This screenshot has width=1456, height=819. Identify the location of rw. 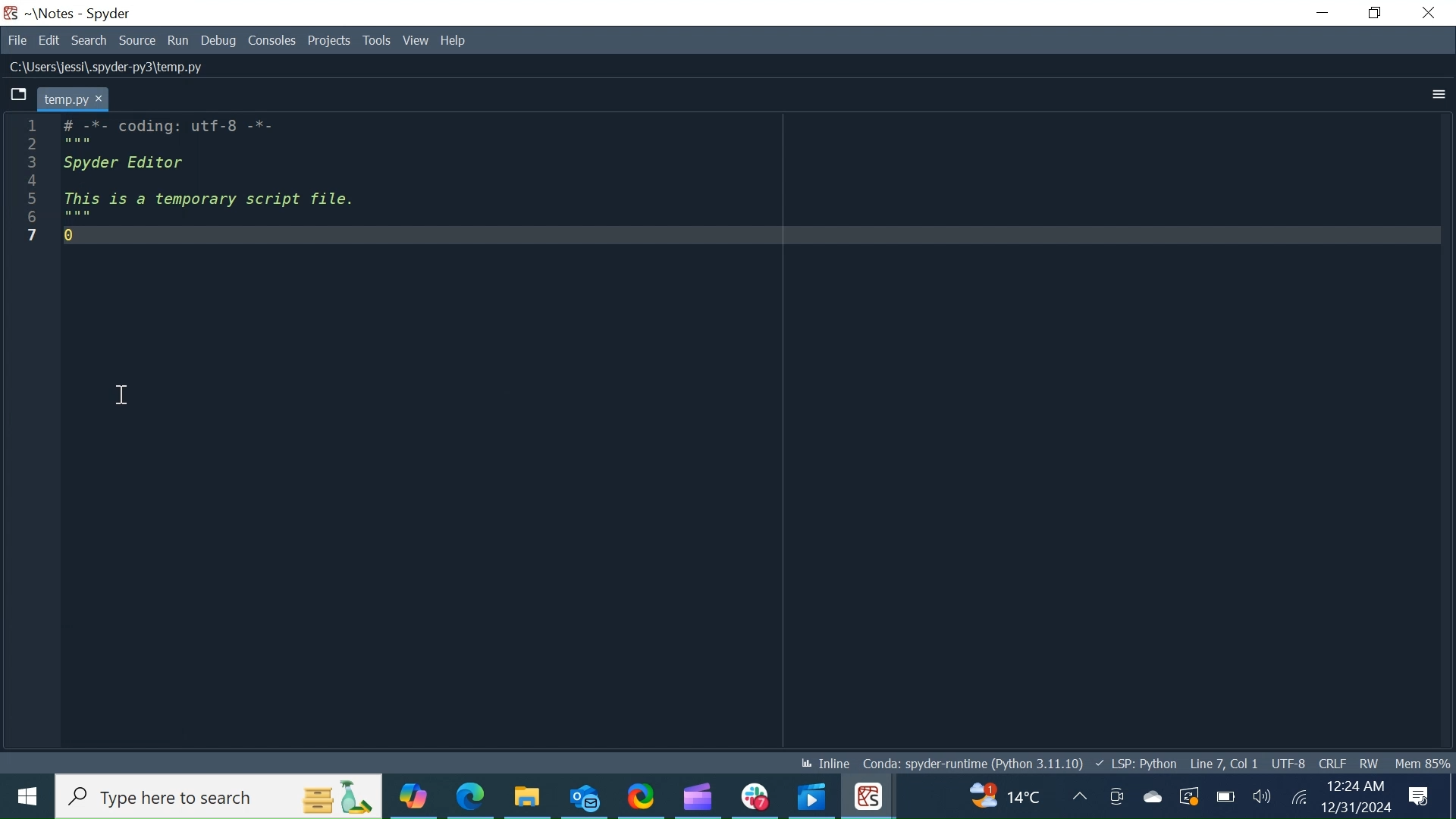
(1370, 764).